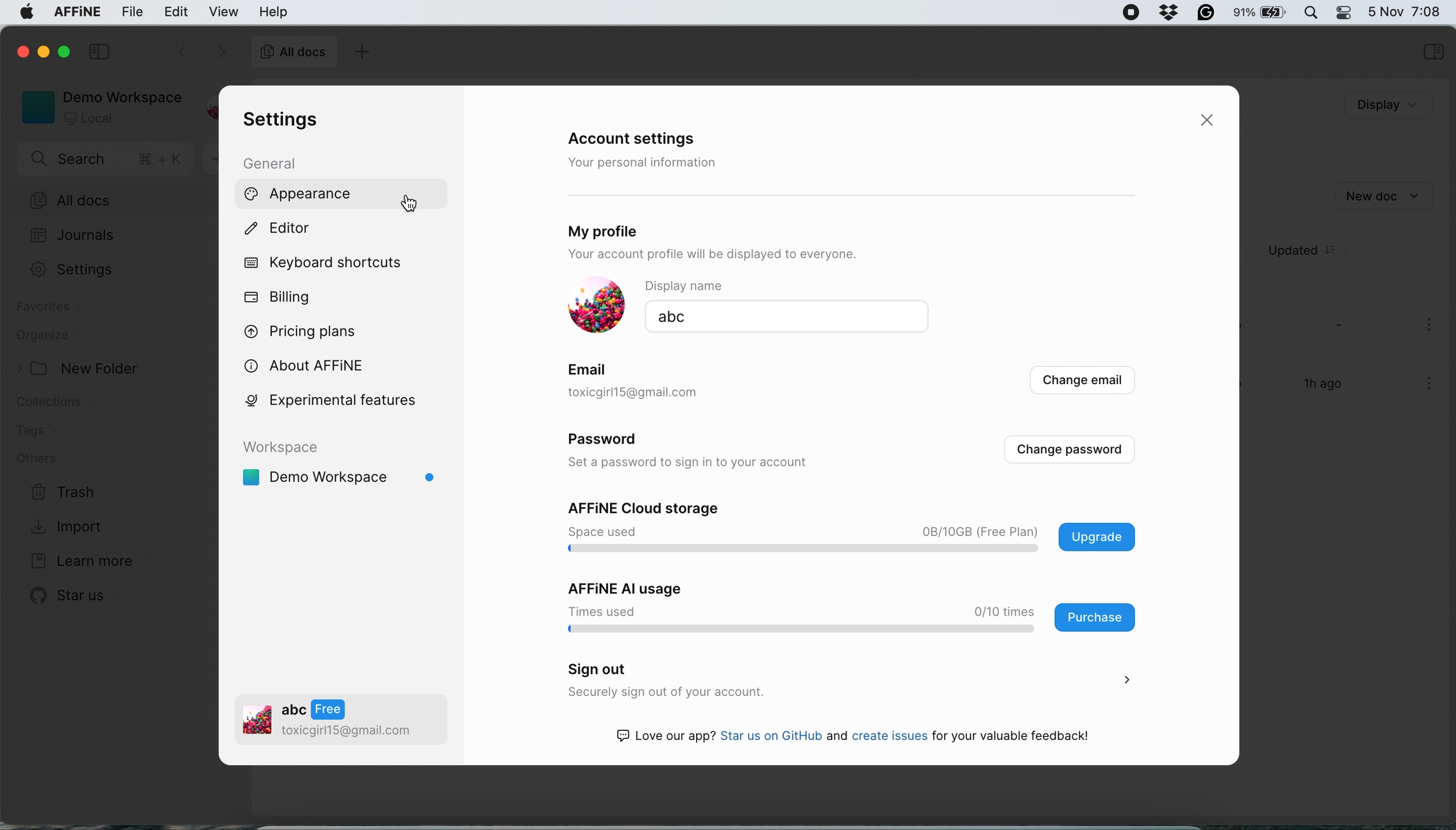  Describe the element at coordinates (39, 432) in the screenshot. I see `tags` at that location.